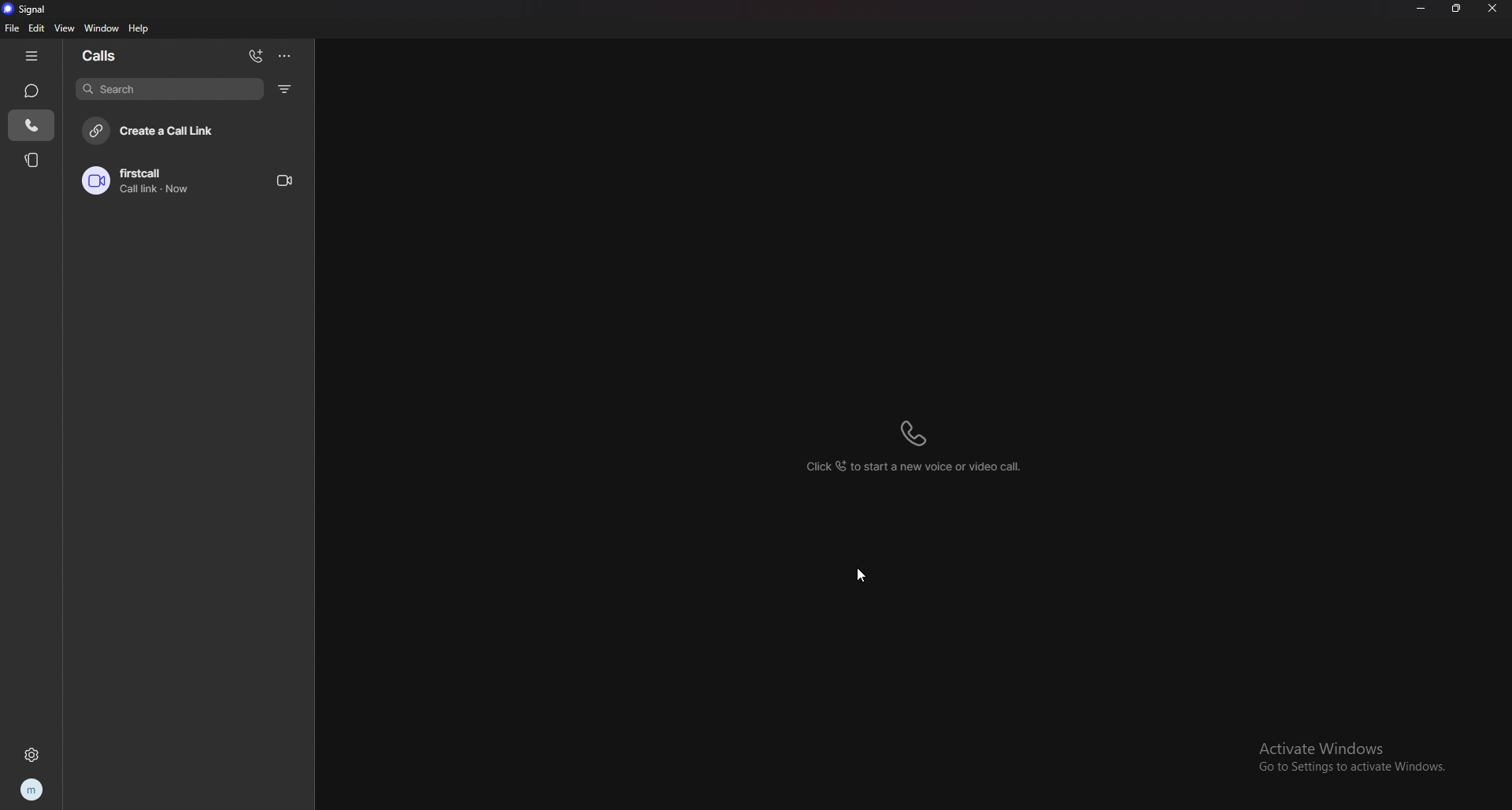 The image size is (1512, 810). What do you see at coordinates (287, 88) in the screenshot?
I see `filter` at bounding box center [287, 88].